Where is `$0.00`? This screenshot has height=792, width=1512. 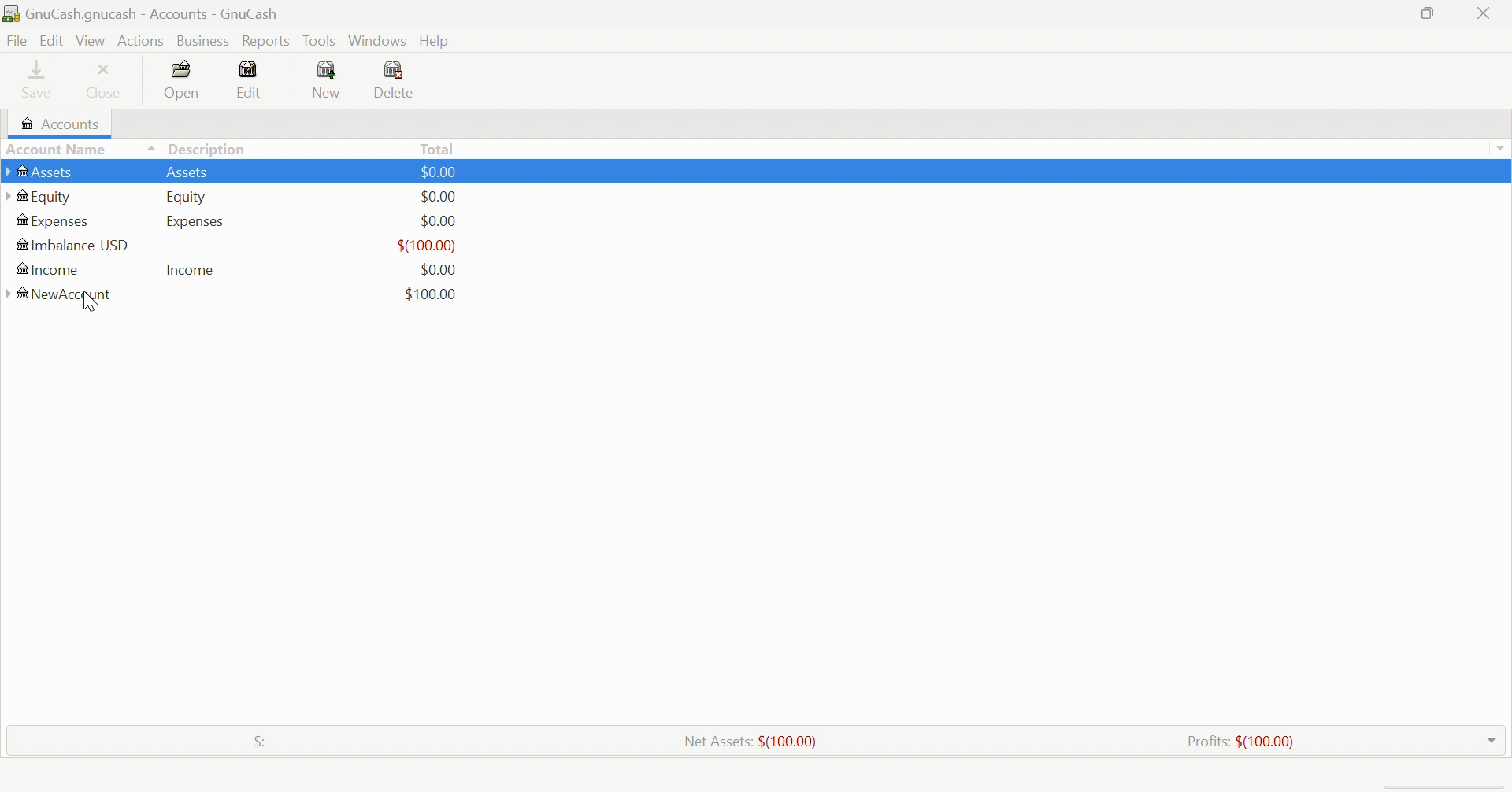 $0.00 is located at coordinates (438, 220).